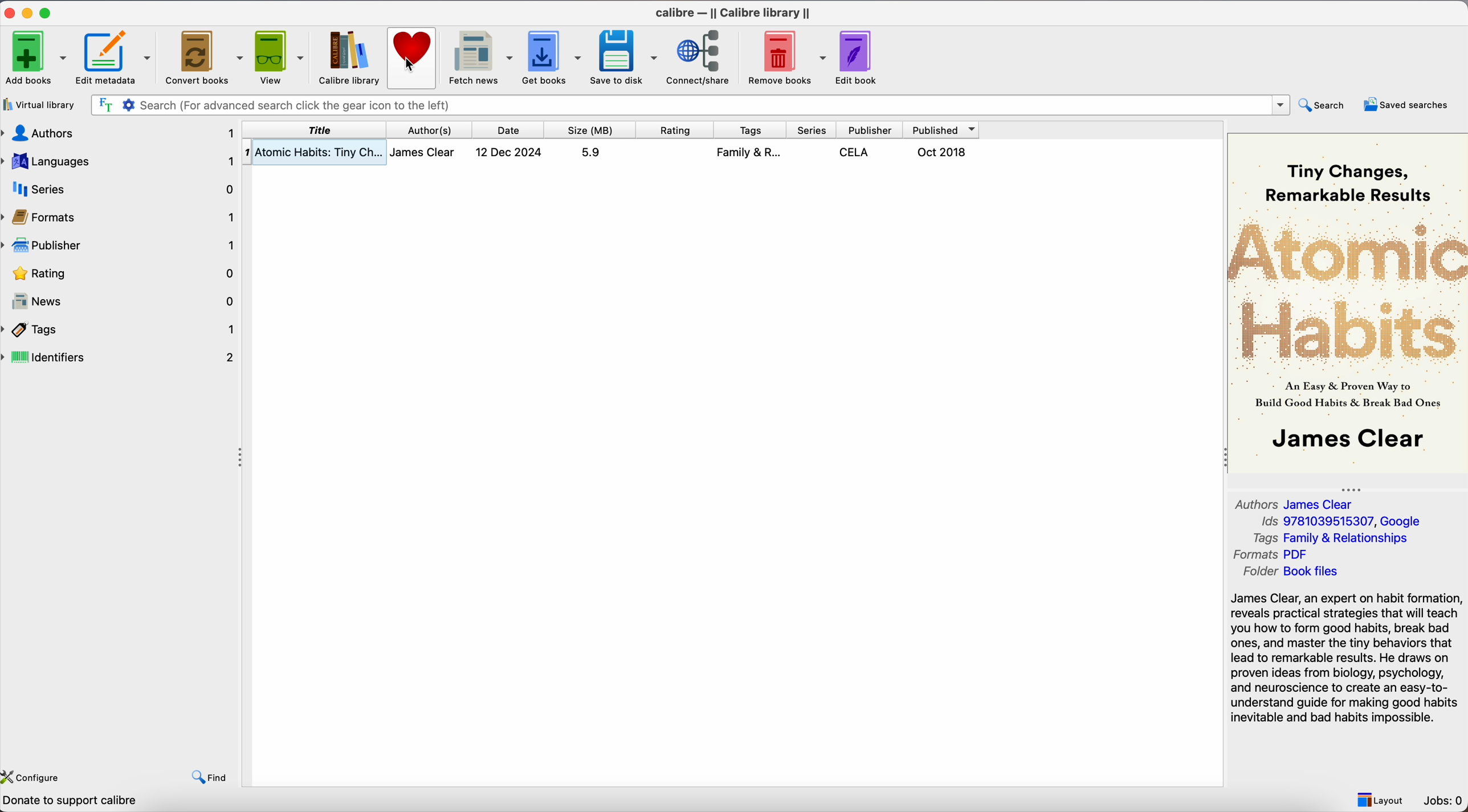 The image size is (1468, 812). Describe the element at coordinates (207, 776) in the screenshot. I see `find` at that location.